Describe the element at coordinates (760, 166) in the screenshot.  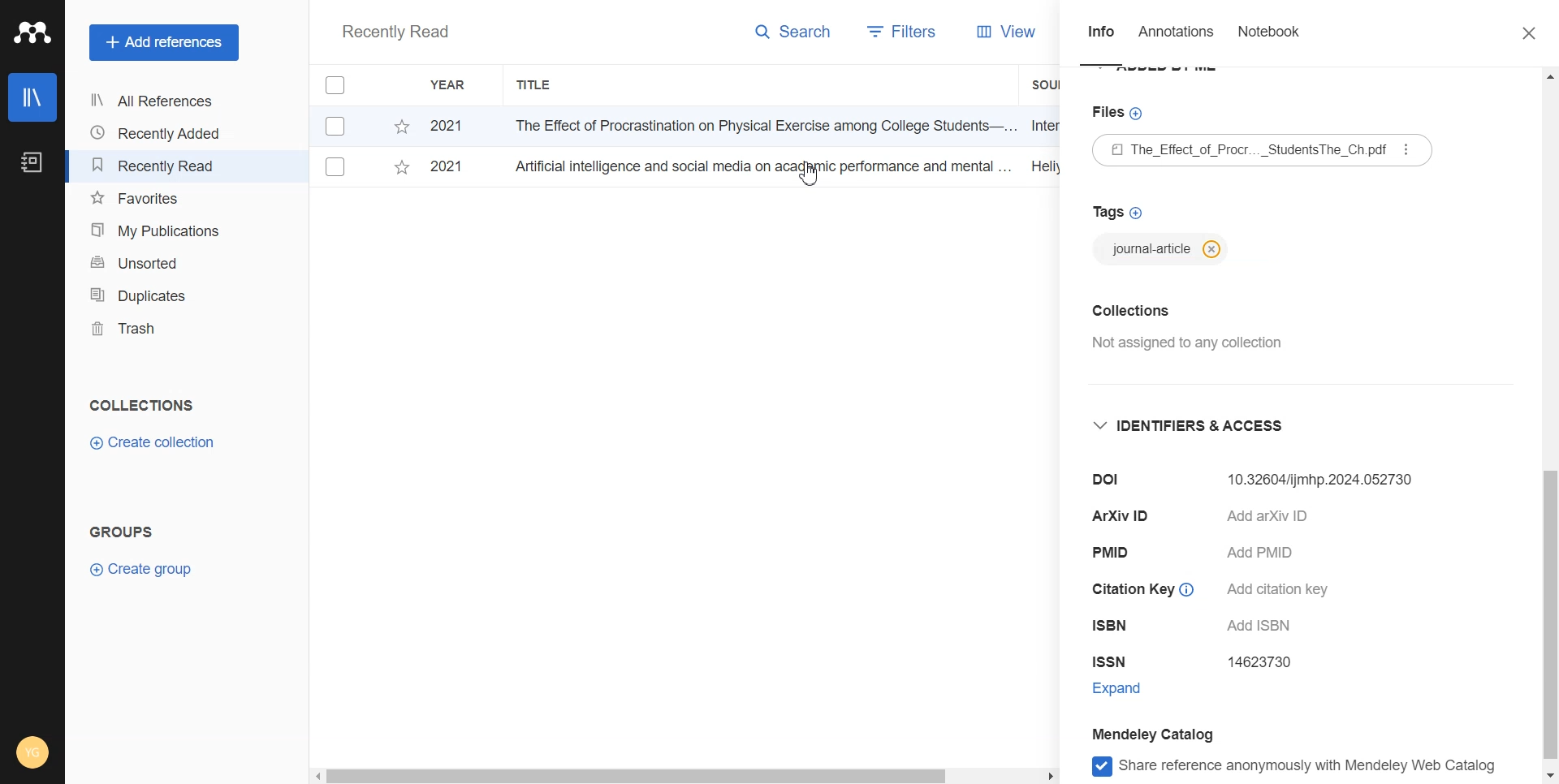
I see `Artificial intelligence and social media on academic performance and mental ...` at that location.